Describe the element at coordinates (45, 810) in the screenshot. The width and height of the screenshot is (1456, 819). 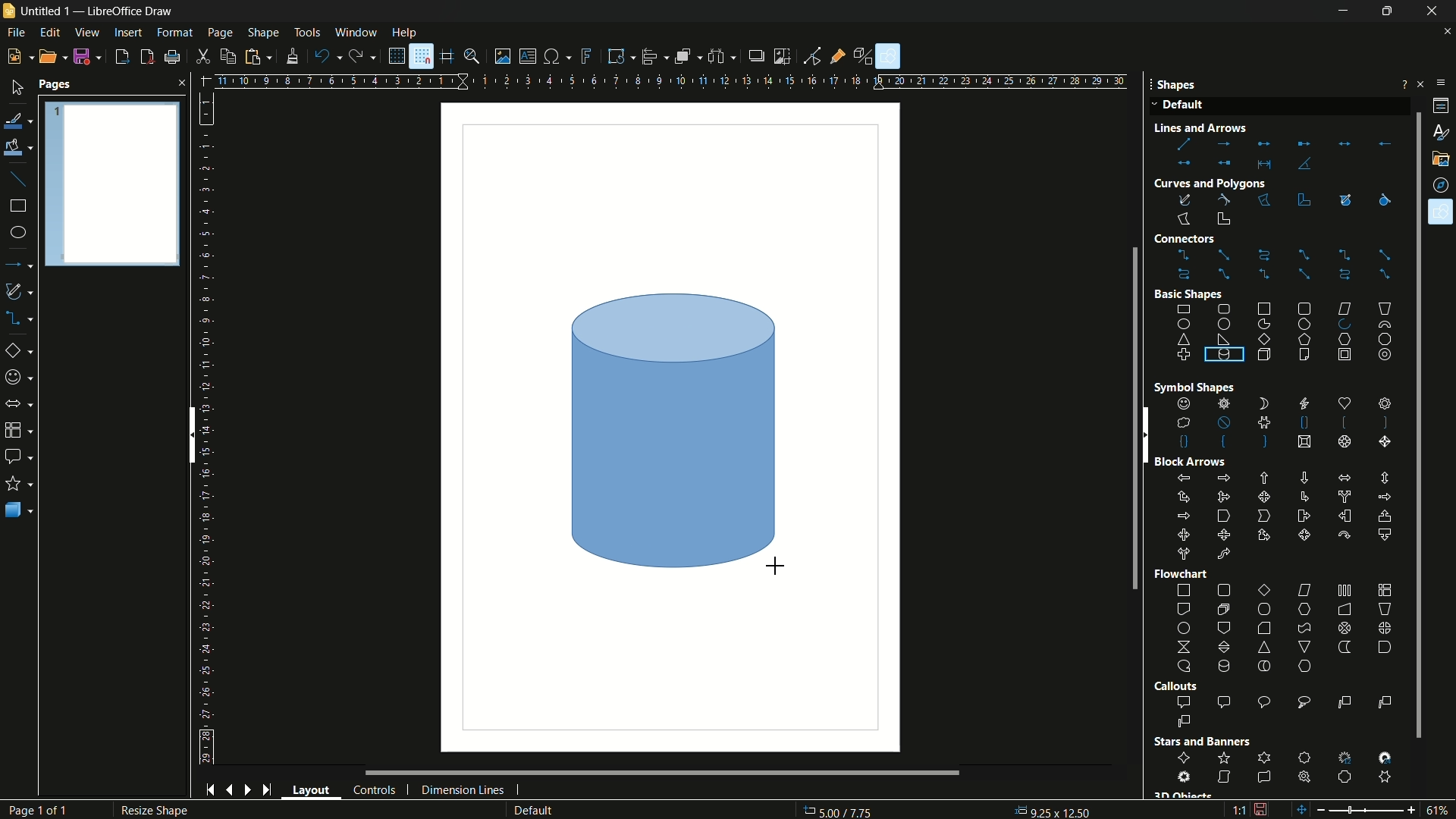
I see `Page 1 of 1` at that location.